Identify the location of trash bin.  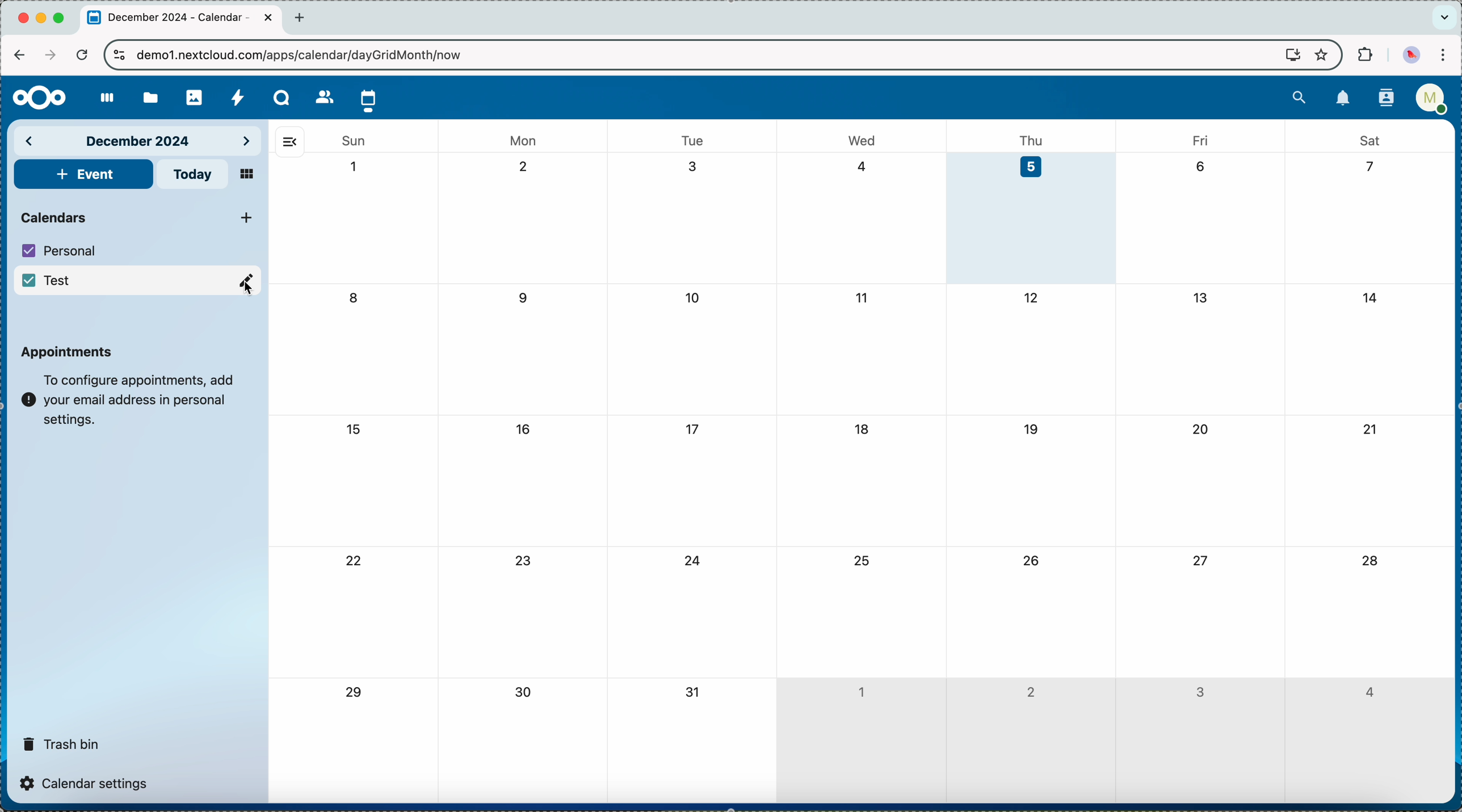
(62, 740).